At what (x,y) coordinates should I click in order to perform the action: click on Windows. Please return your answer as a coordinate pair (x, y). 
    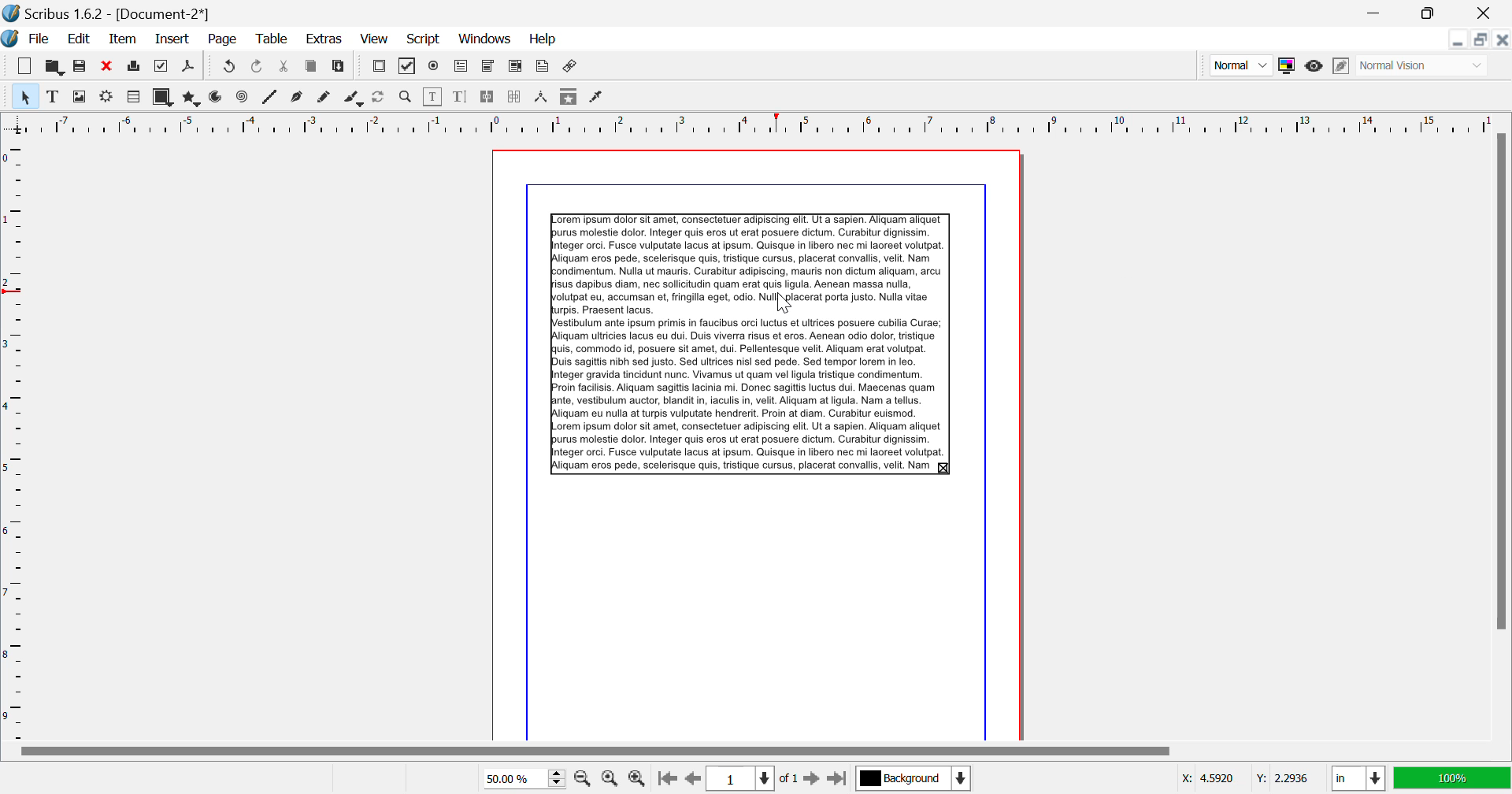
    Looking at the image, I should click on (485, 39).